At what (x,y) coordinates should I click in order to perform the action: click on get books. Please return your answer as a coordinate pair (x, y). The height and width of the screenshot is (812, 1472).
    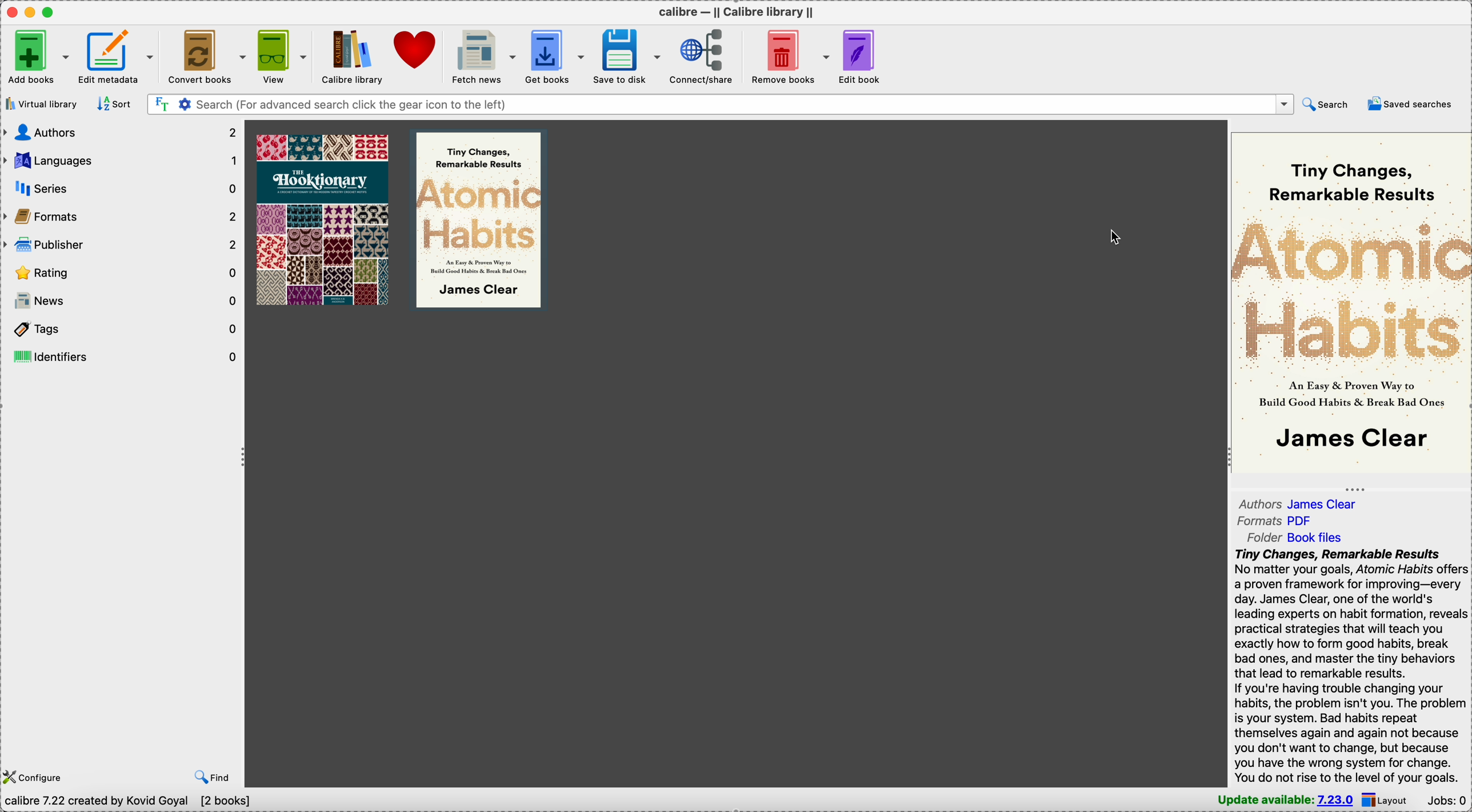
    Looking at the image, I should click on (556, 57).